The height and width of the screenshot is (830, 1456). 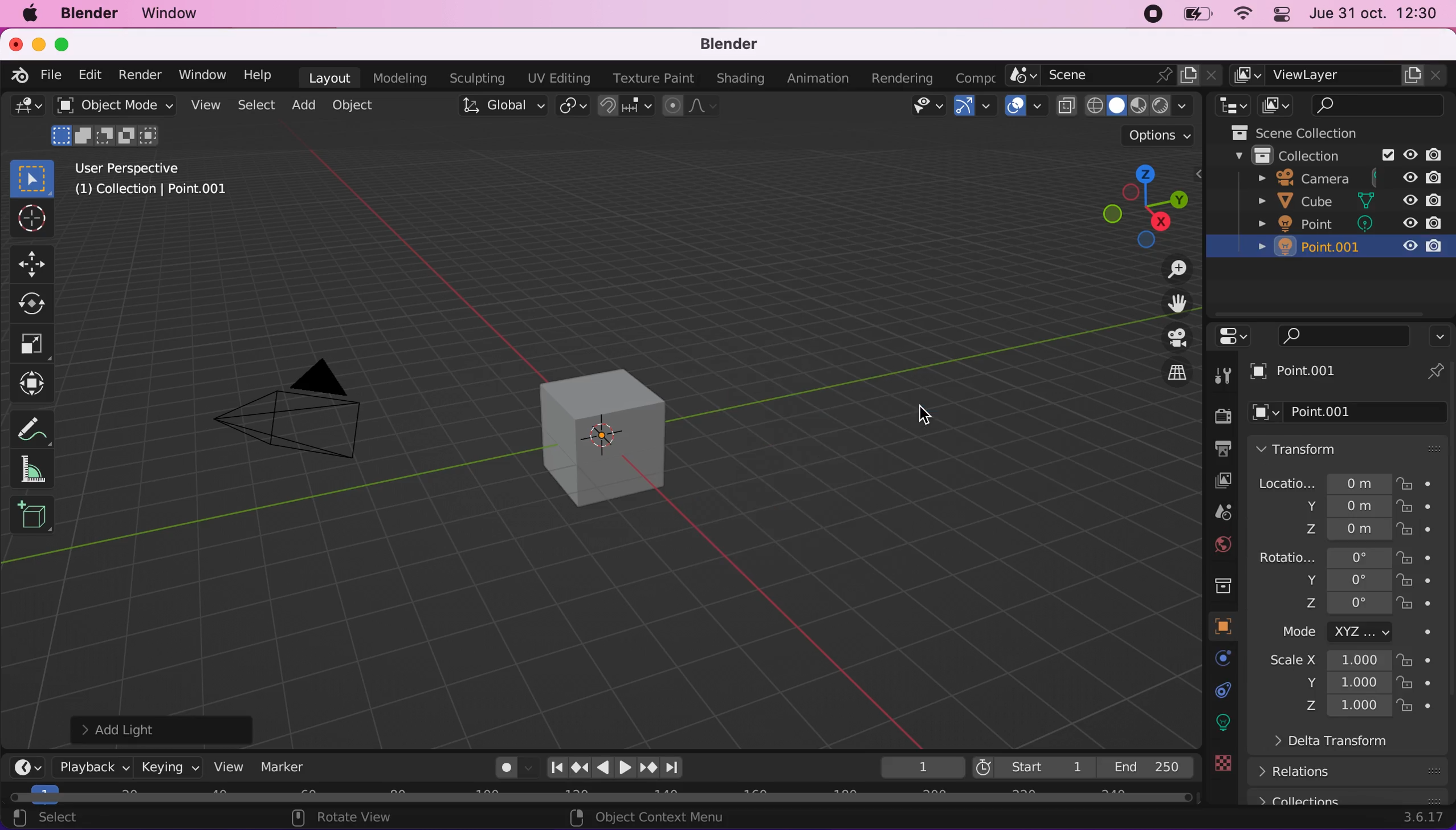 What do you see at coordinates (1218, 513) in the screenshot?
I see `scene` at bounding box center [1218, 513].